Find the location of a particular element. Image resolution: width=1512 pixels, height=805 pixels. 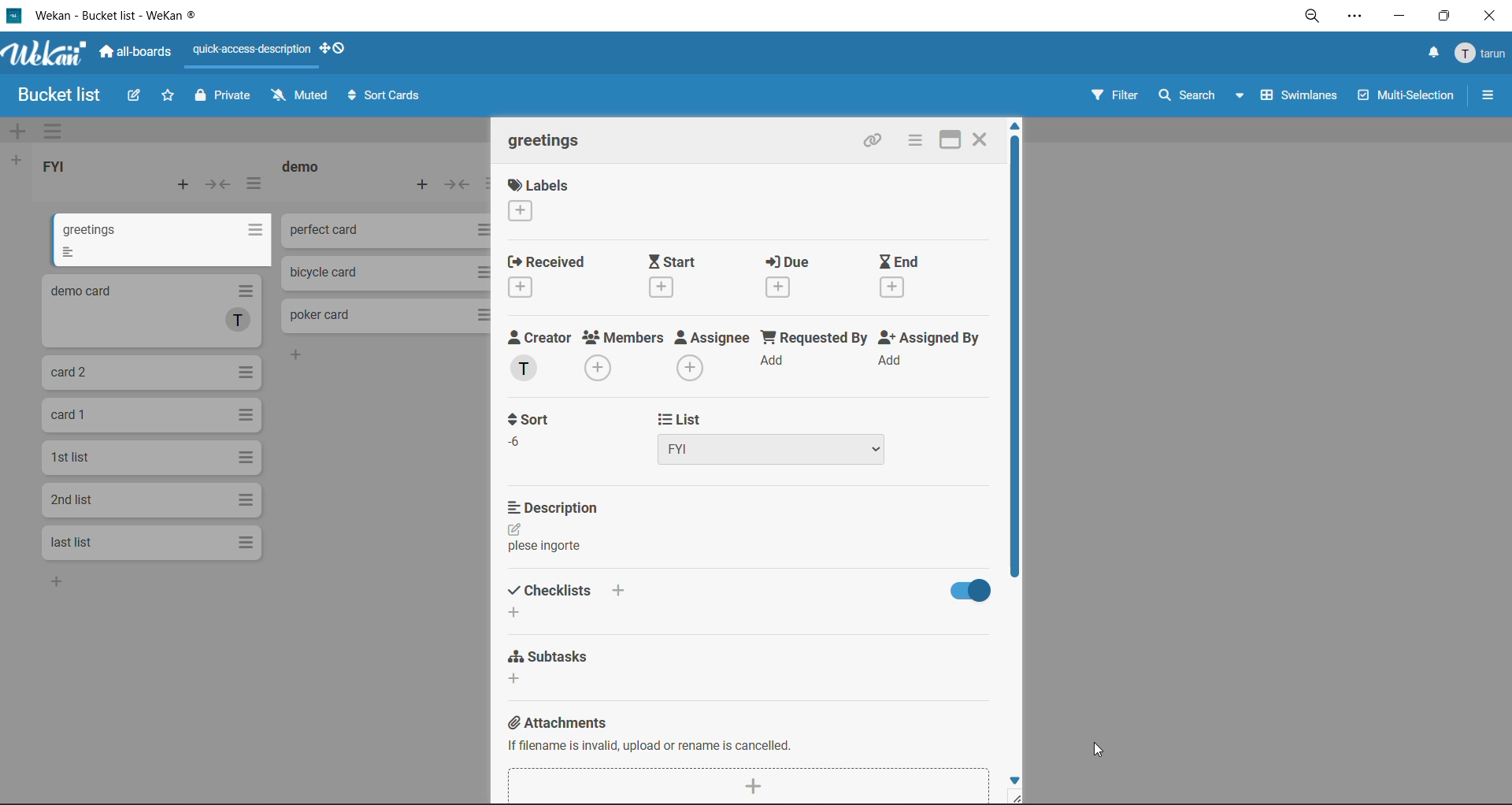

creator is located at coordinates (539, 354).